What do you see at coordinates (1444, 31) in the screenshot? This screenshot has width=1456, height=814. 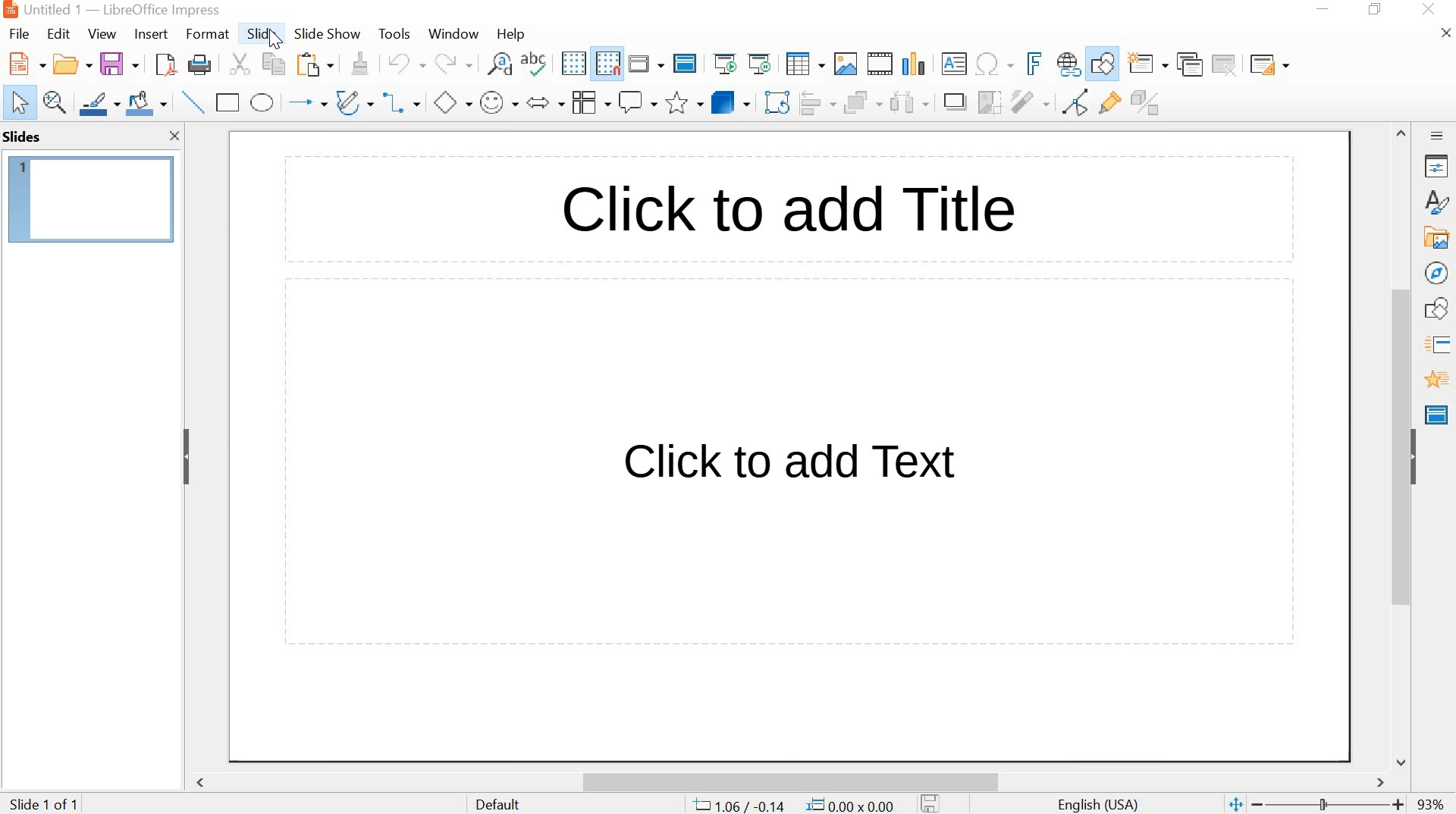 I see `CLOSE DOCUMENT` at bounding box center [1444, 31].